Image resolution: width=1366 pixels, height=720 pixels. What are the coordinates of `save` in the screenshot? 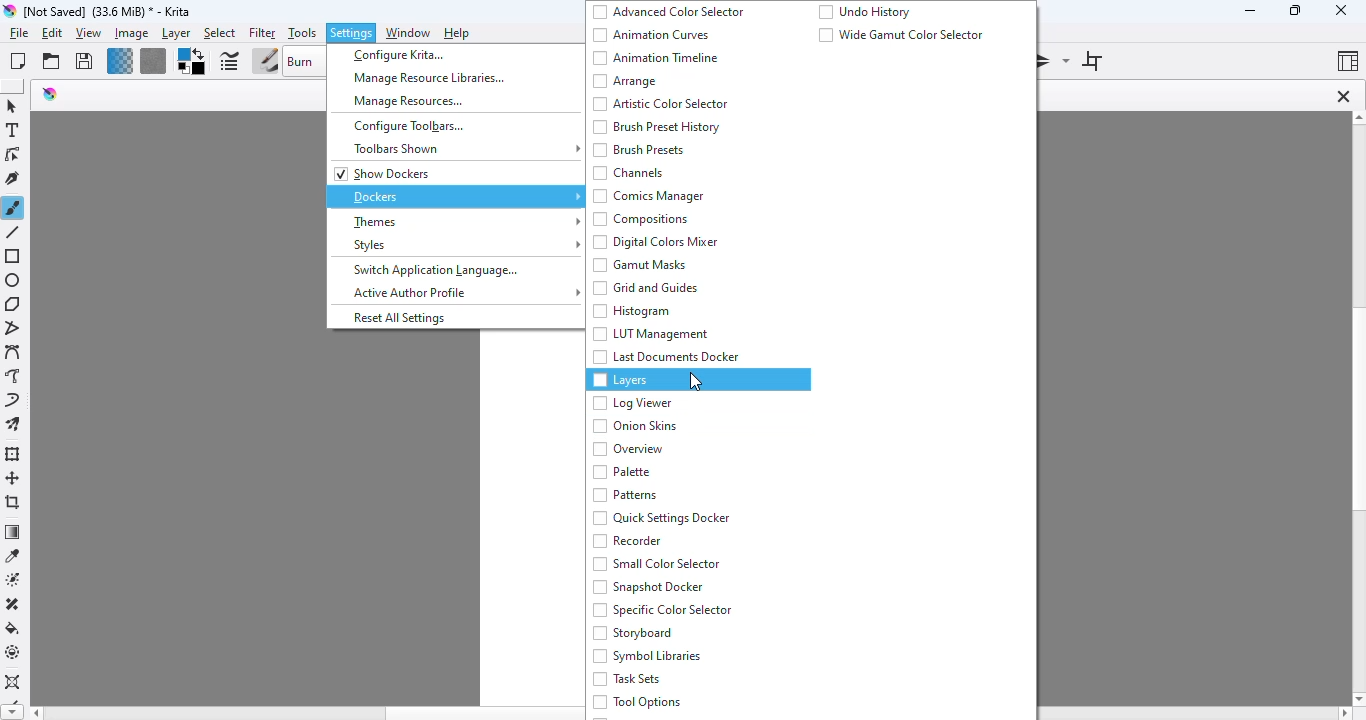 It's located at (84, 61).